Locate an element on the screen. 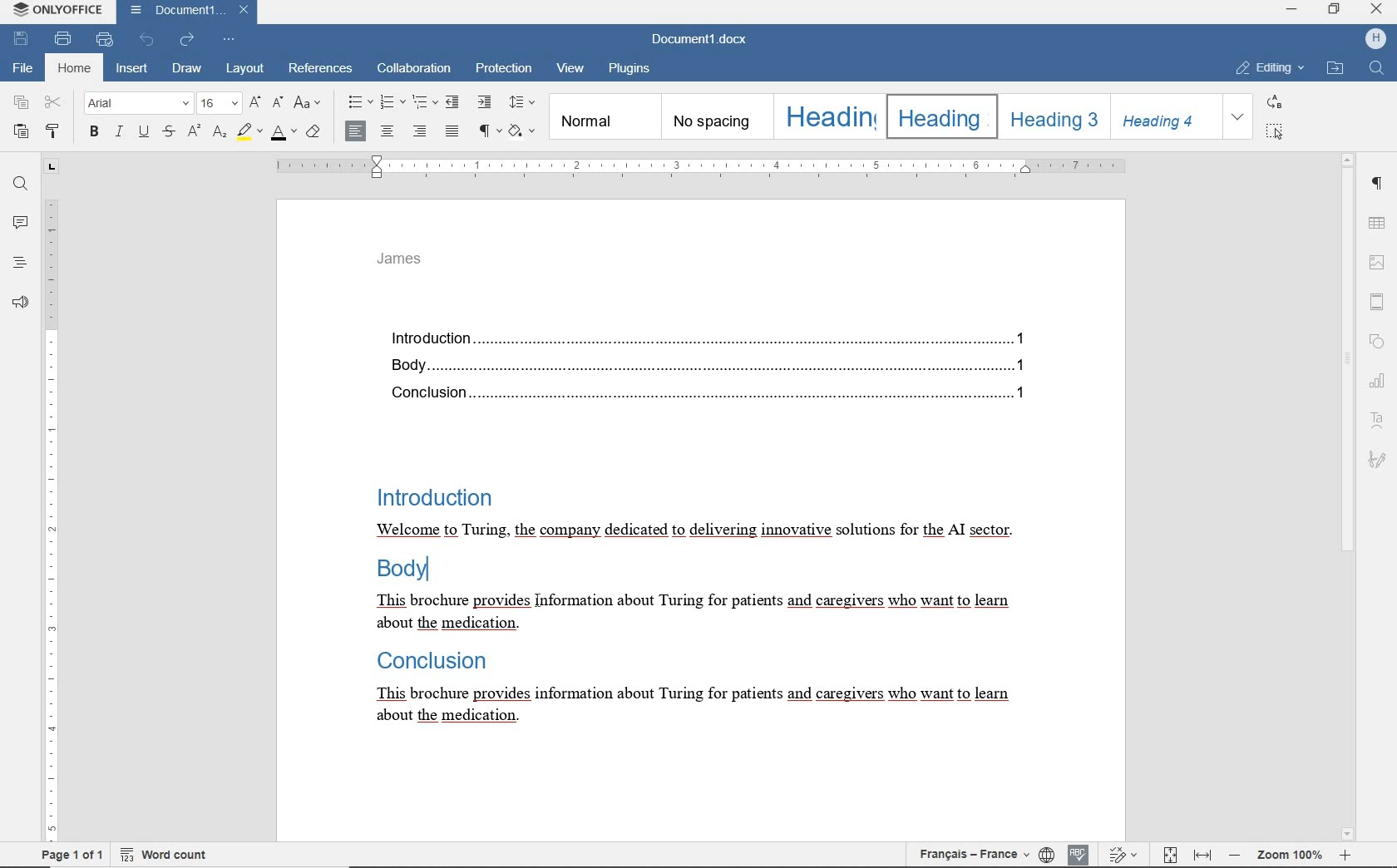 The height and width of the screenshot is (868, 1397). EXPAND is located at coordinates (1238, 117).